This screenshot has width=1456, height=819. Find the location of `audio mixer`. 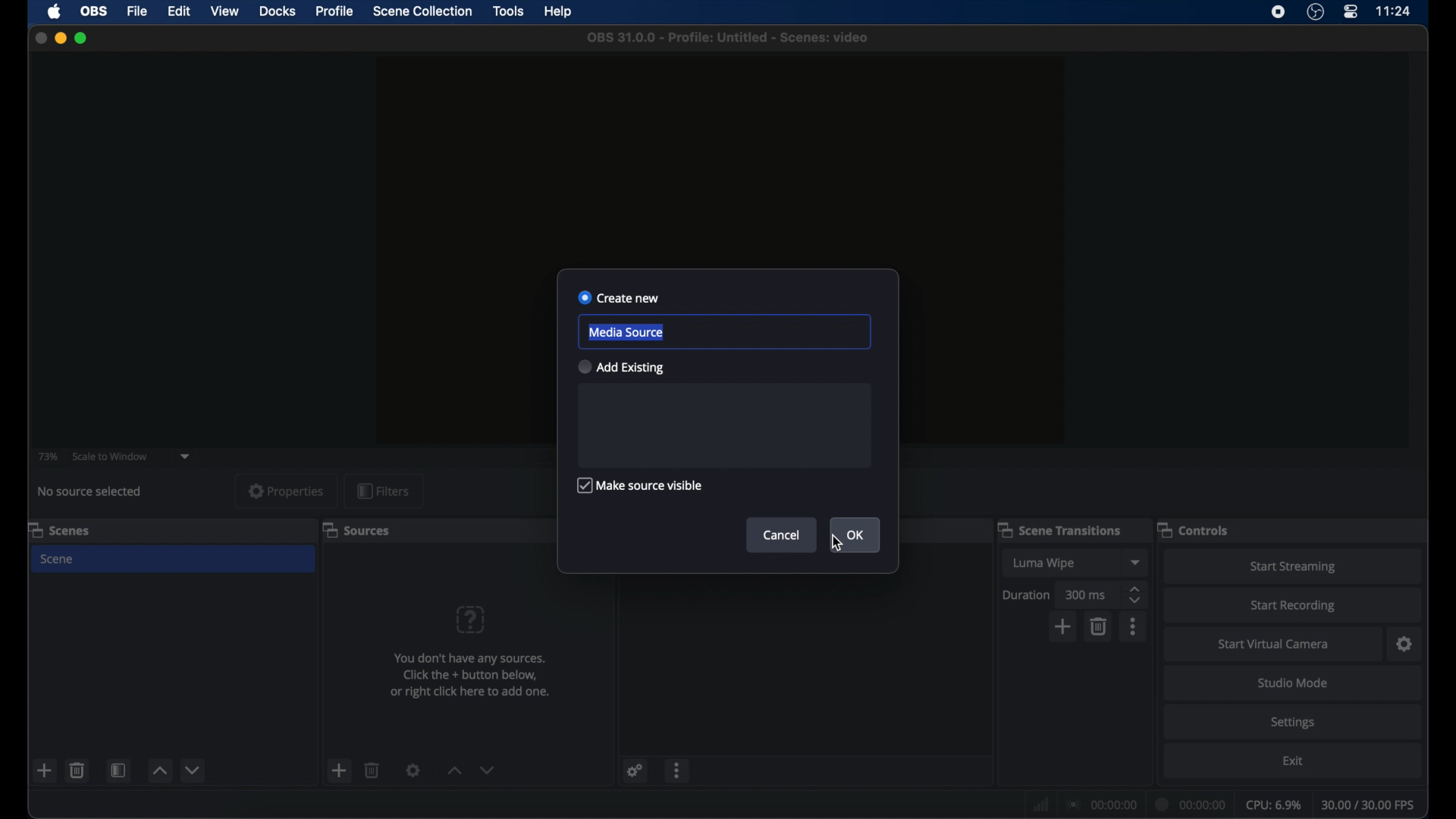

audio mixer is located at coordinates (664, 529).